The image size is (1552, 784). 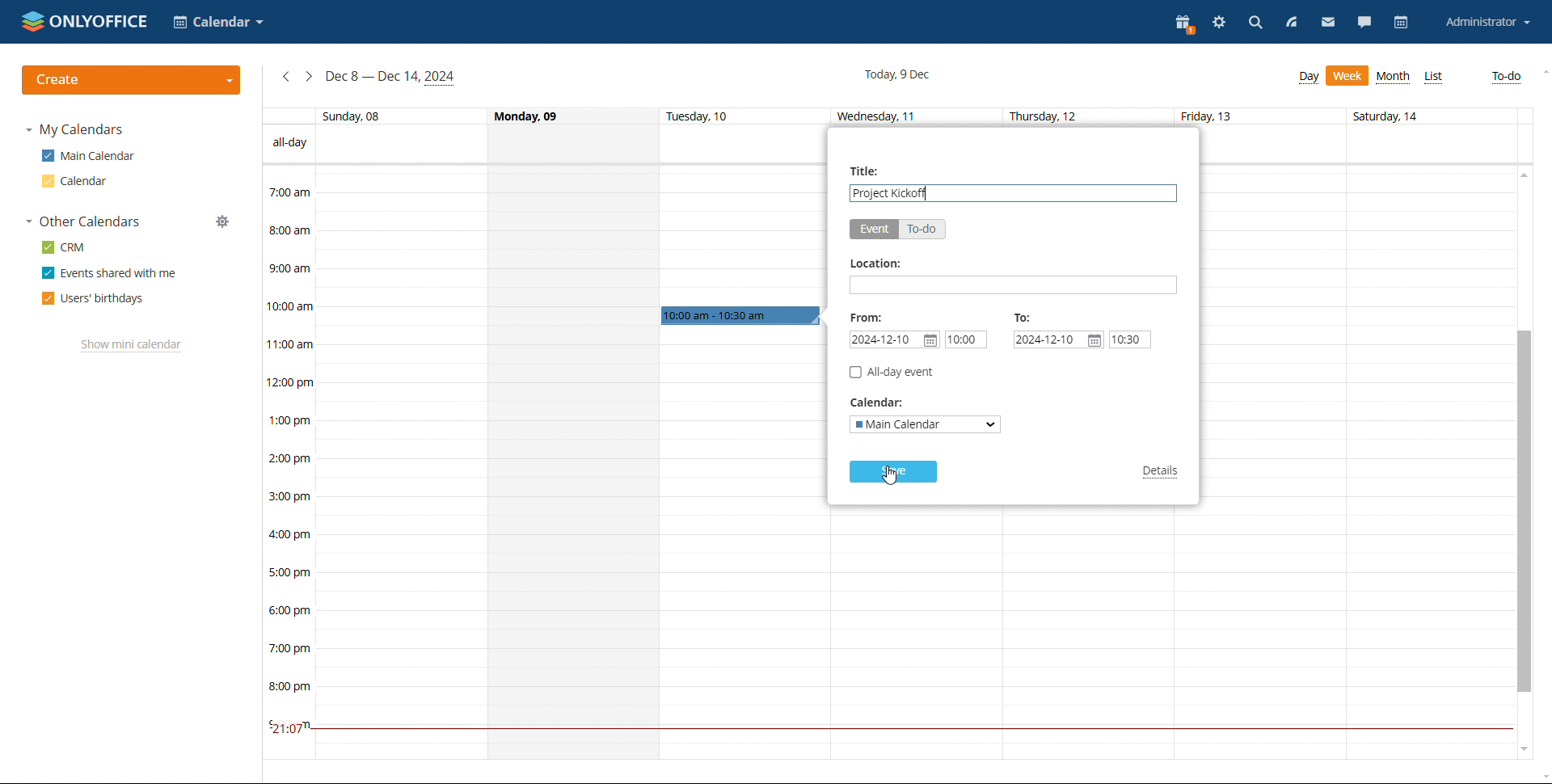 What do you see at coordinates (72, 181) in the screenshot?
I see `calendar` at bounding box center [72, 181].